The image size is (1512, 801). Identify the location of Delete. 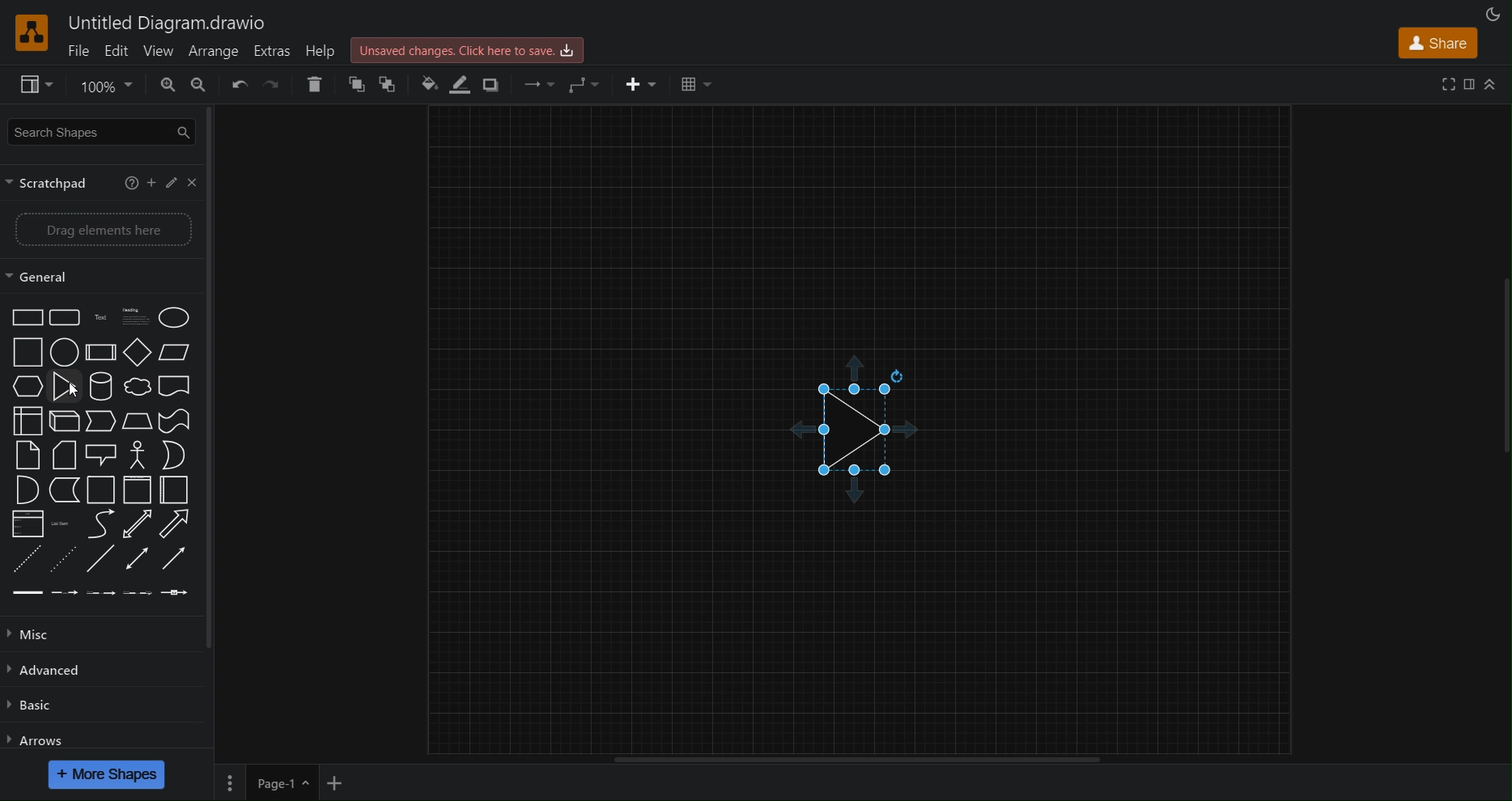
(312, 83).